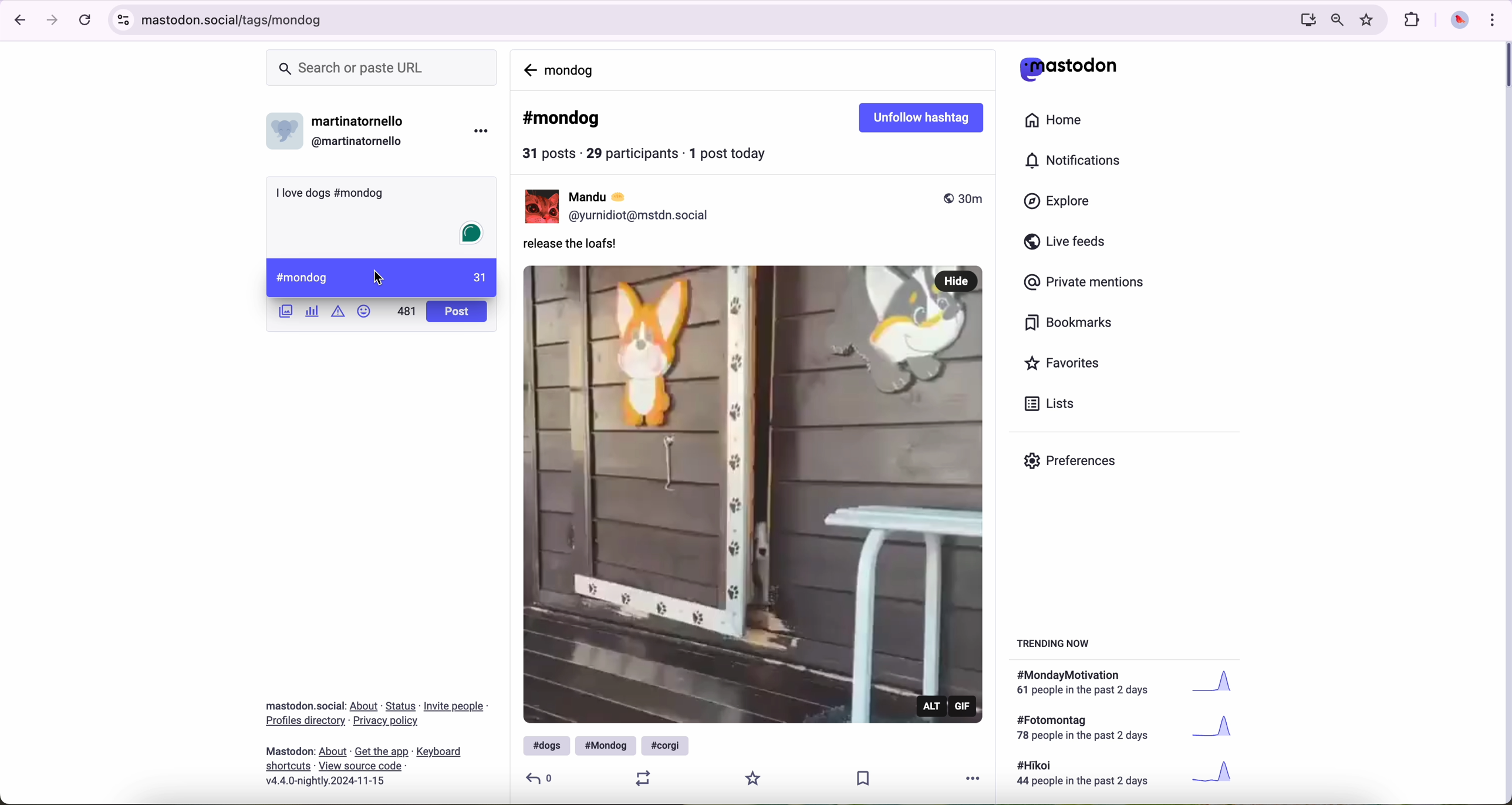  What do you see at coordinates (361, 142) in the screenshot?
I see `user id` at bounding box center [361, 142].